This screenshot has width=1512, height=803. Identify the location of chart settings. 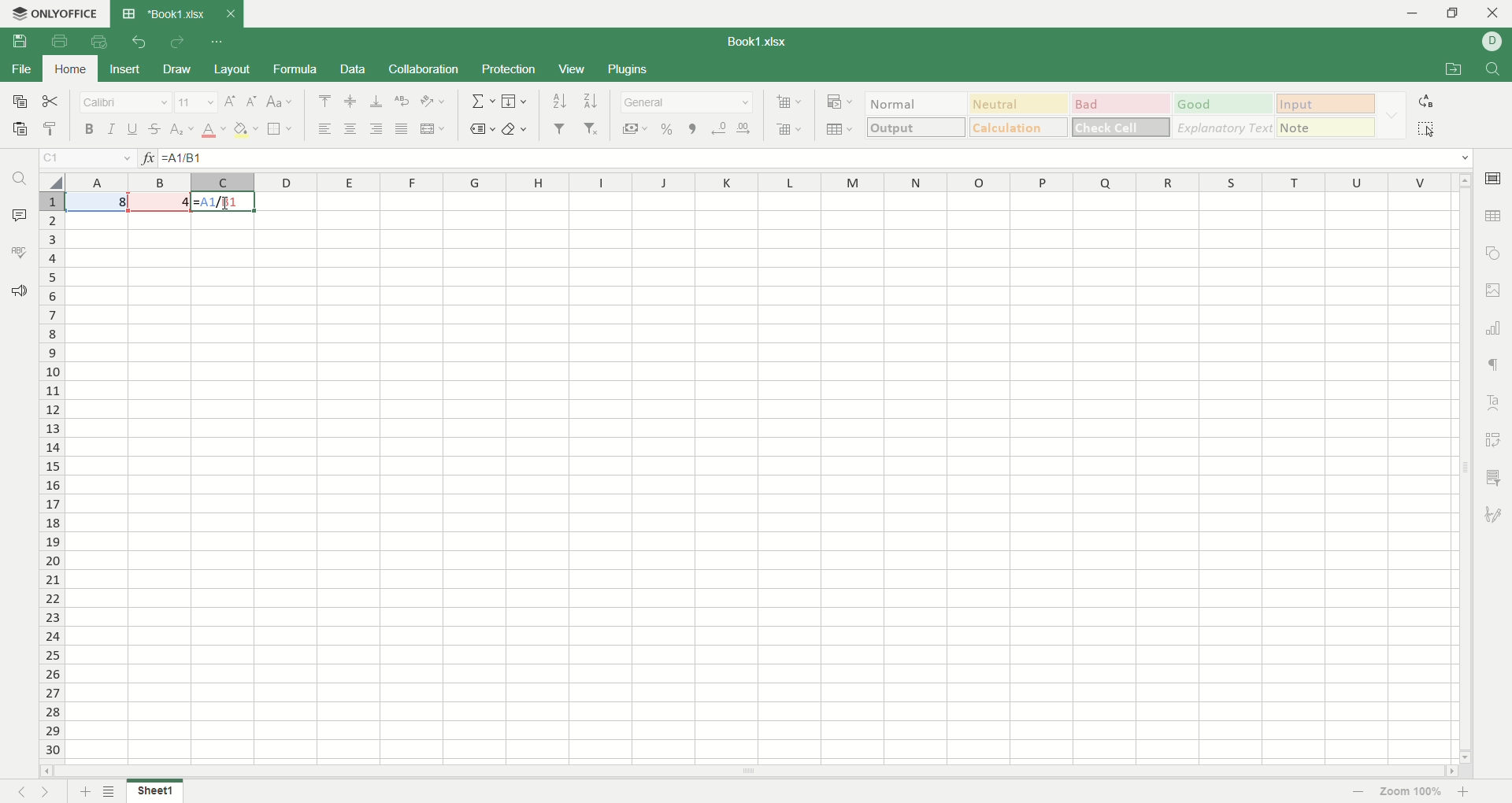
(1496, 328).